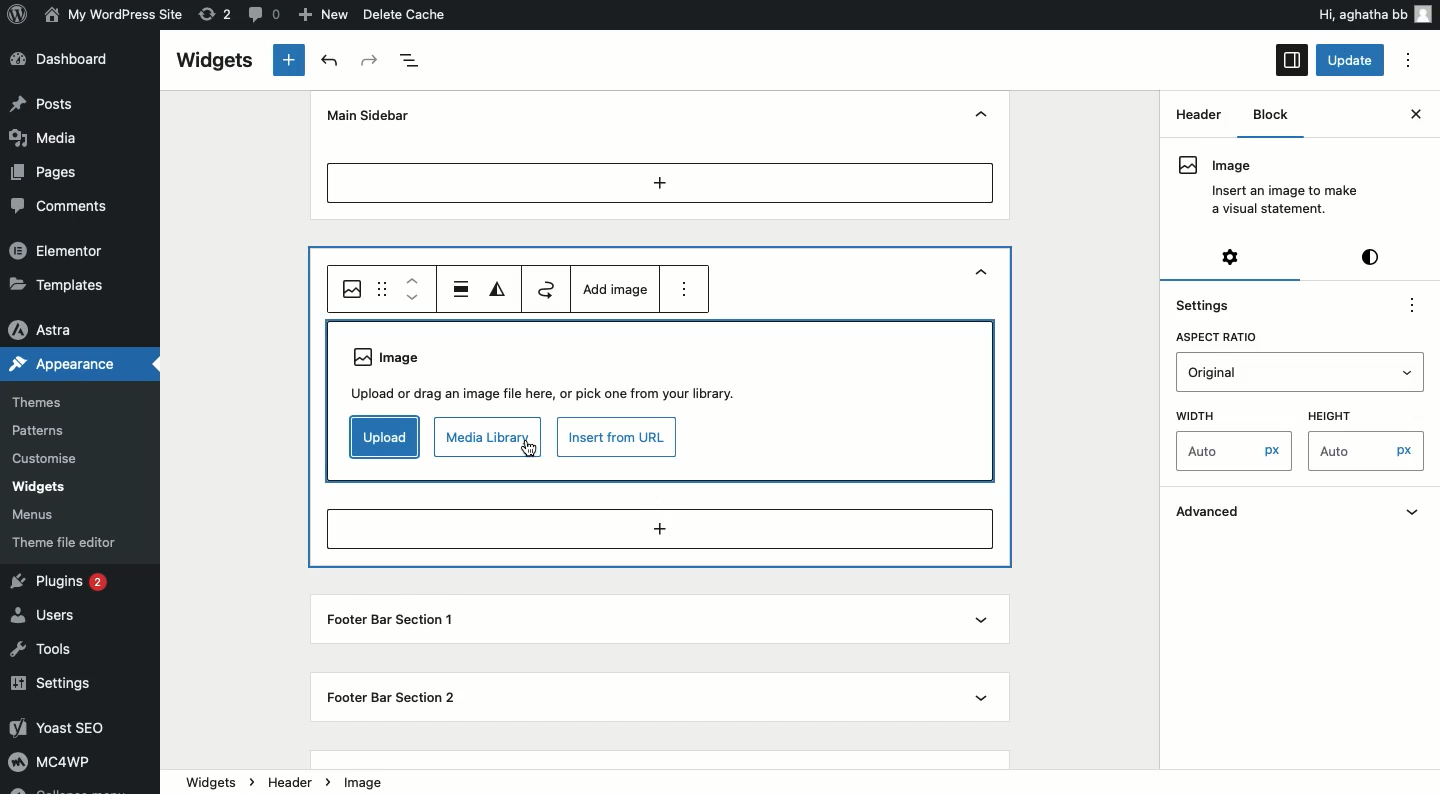 The image size is (1440, 794). What do you see at coordinates (48, 613) in the screenshot?
I see `Users` at bounding box center [48, 613].